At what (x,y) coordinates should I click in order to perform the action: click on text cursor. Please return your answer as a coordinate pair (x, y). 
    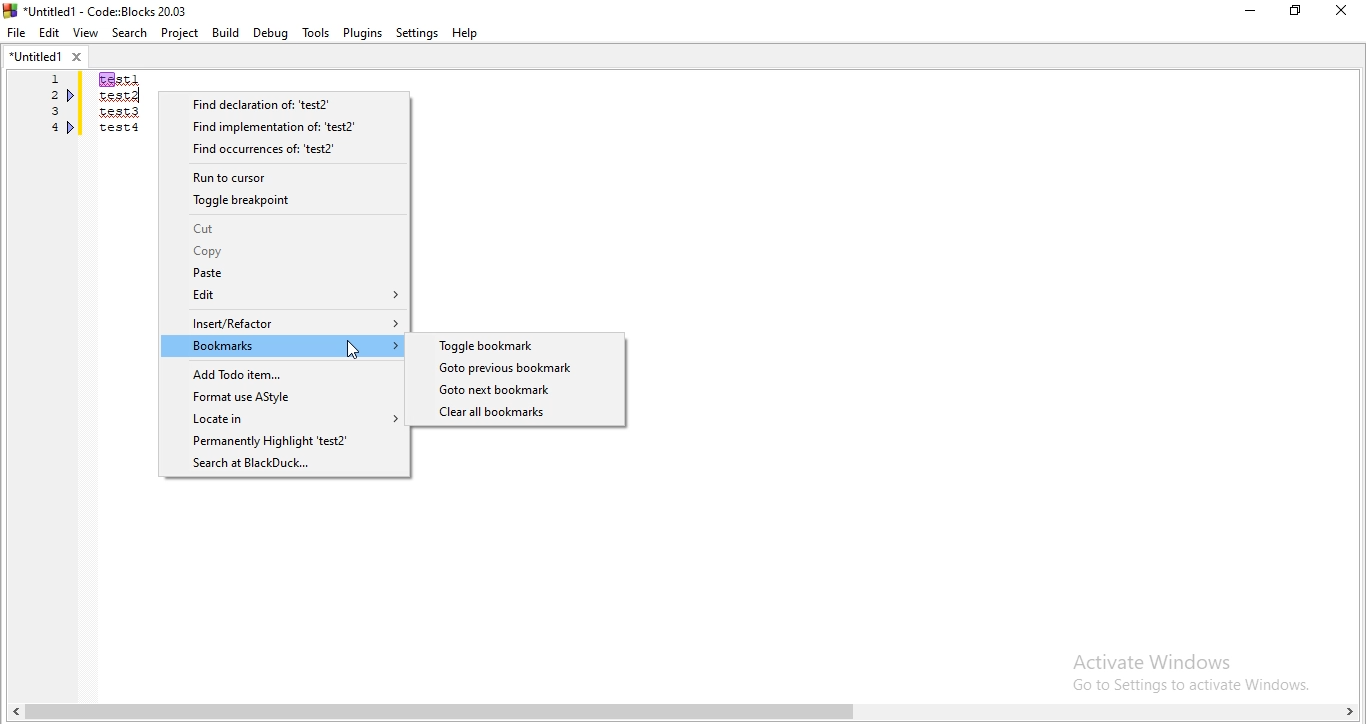
    Looking at the image, I should click on (143, 95).